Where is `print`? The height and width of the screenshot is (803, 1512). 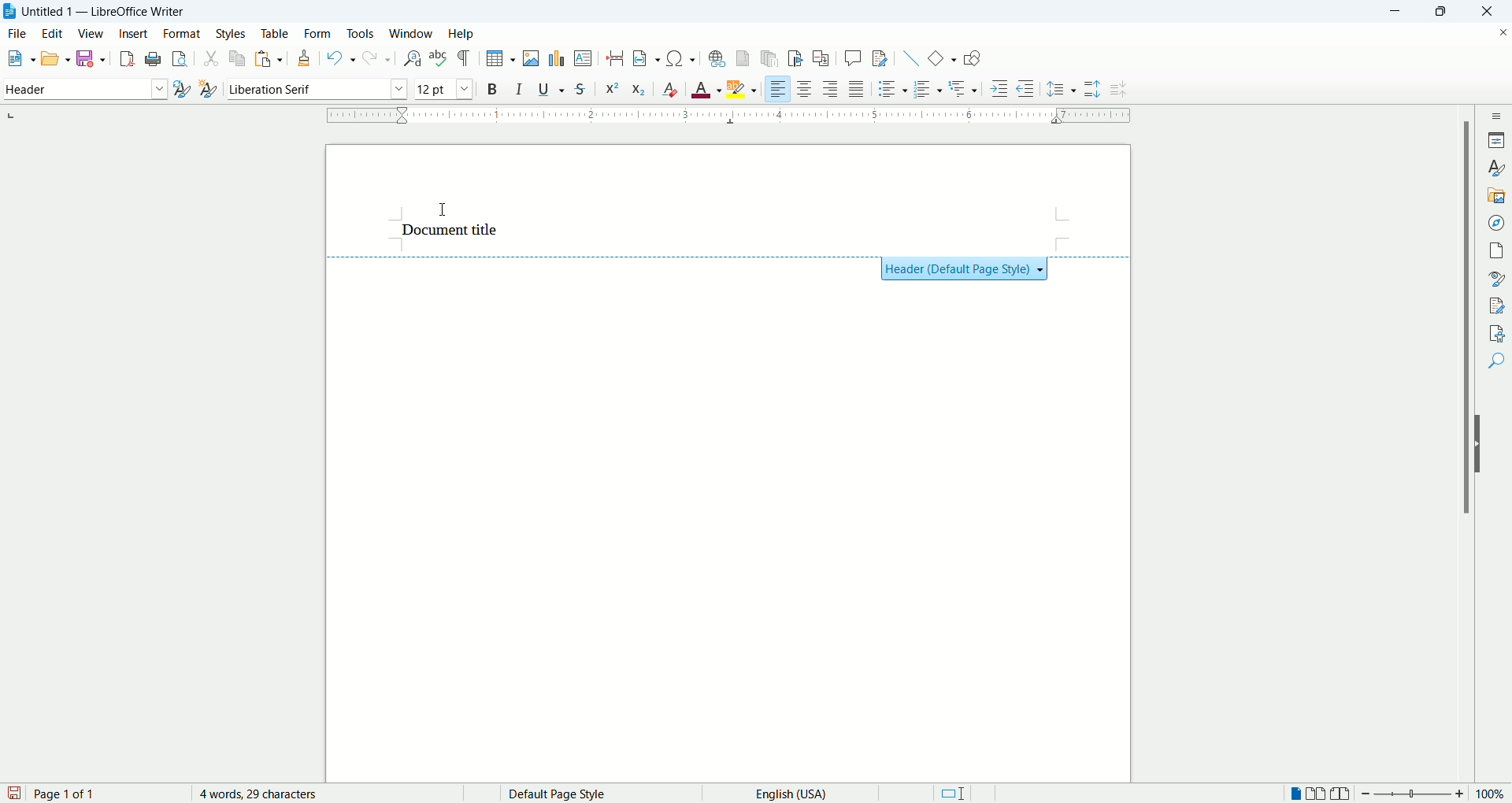
print is located at coordinates (154, 58).